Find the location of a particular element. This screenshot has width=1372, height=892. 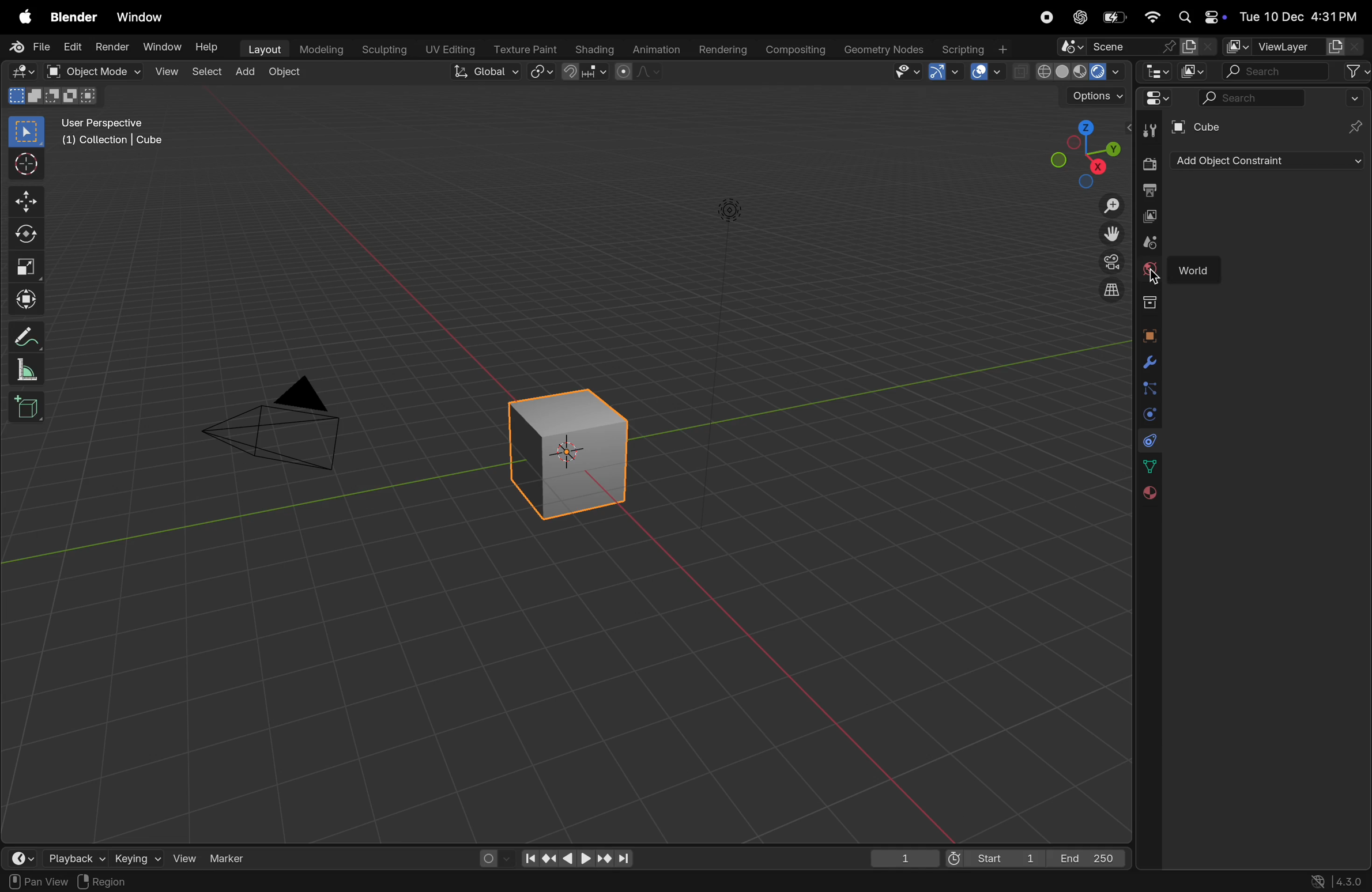

wifi is located at coordinates (1152, 17).